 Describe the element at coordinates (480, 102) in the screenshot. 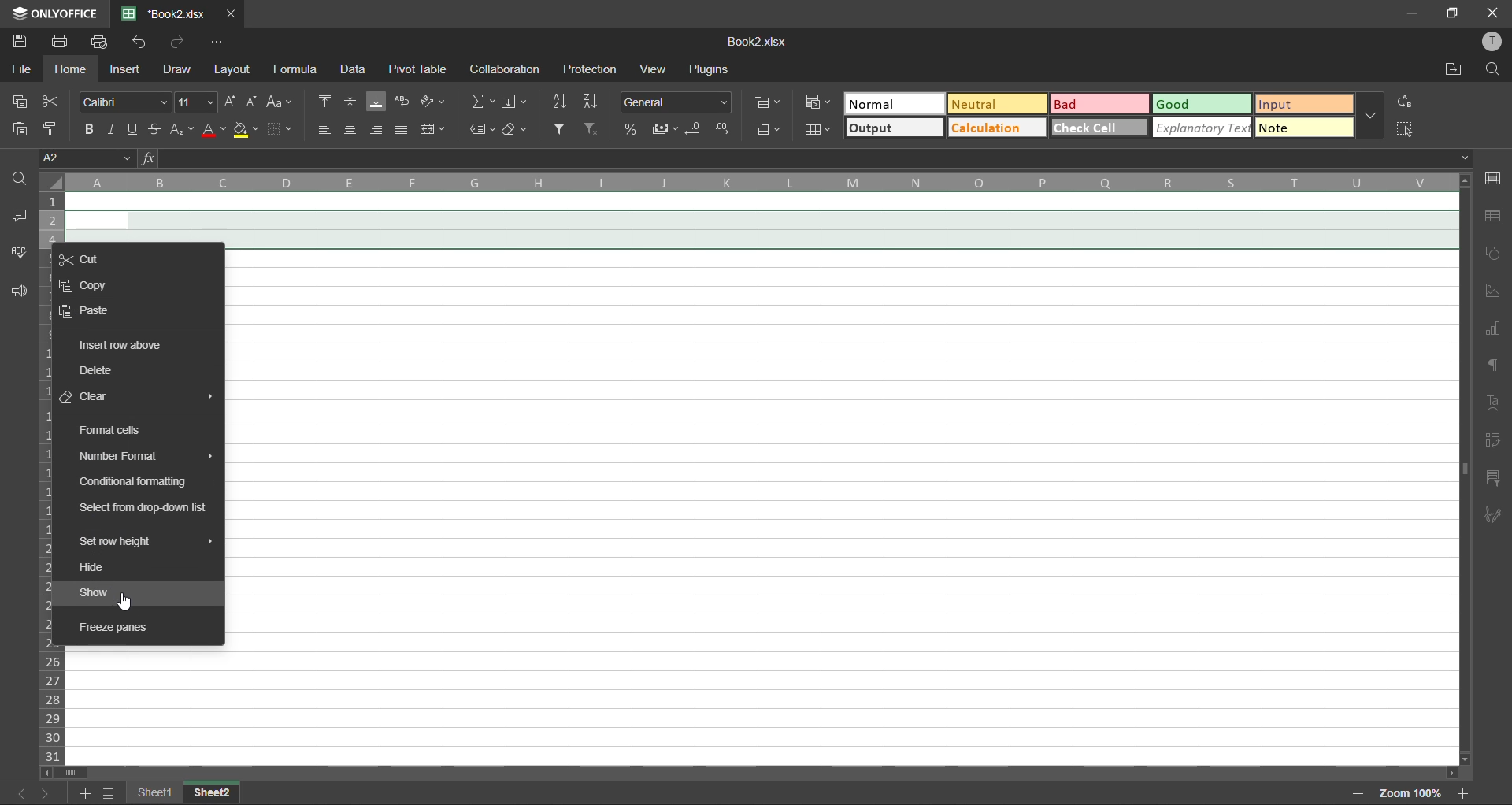

I see `summation` at that location.